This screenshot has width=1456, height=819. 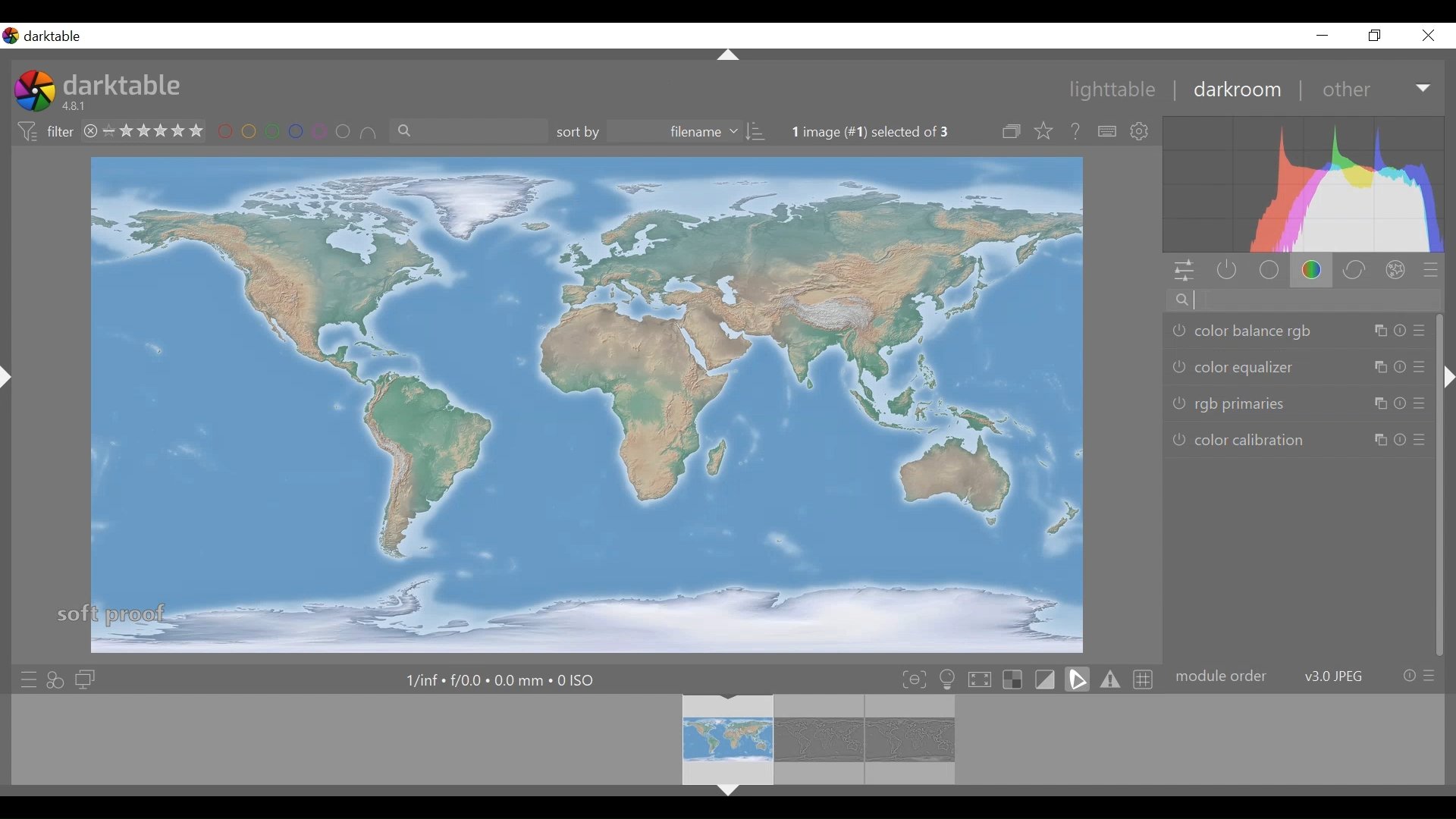 What do you see at coordinates (1015, 680) in the screenshot?
I see `toggle indication of raw overexposure` at bounding box center [1015, 680].